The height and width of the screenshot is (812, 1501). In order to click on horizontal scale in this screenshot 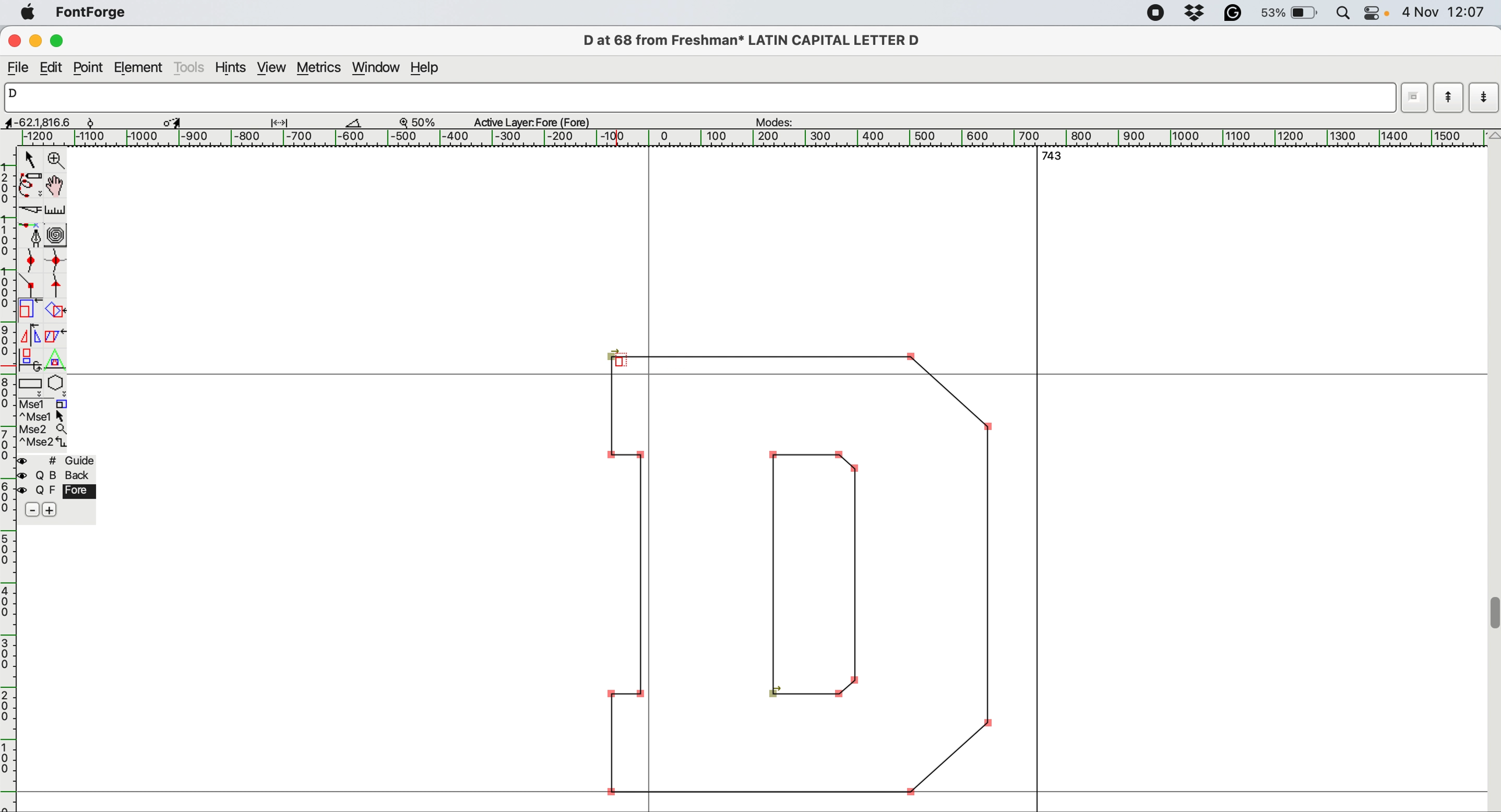, I will do `click(9, 480)`.